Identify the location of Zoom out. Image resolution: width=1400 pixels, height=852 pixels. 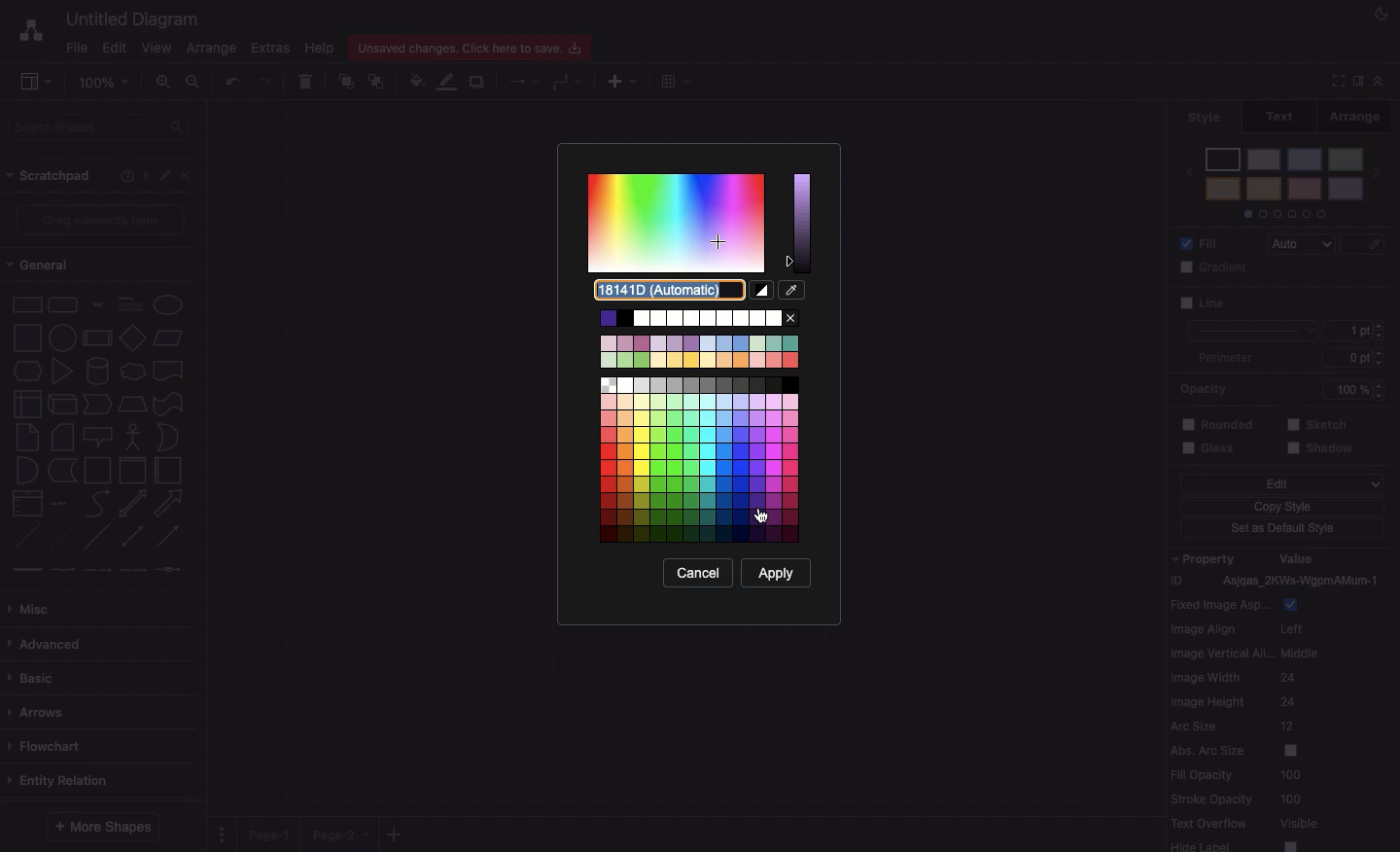
(194, 83).